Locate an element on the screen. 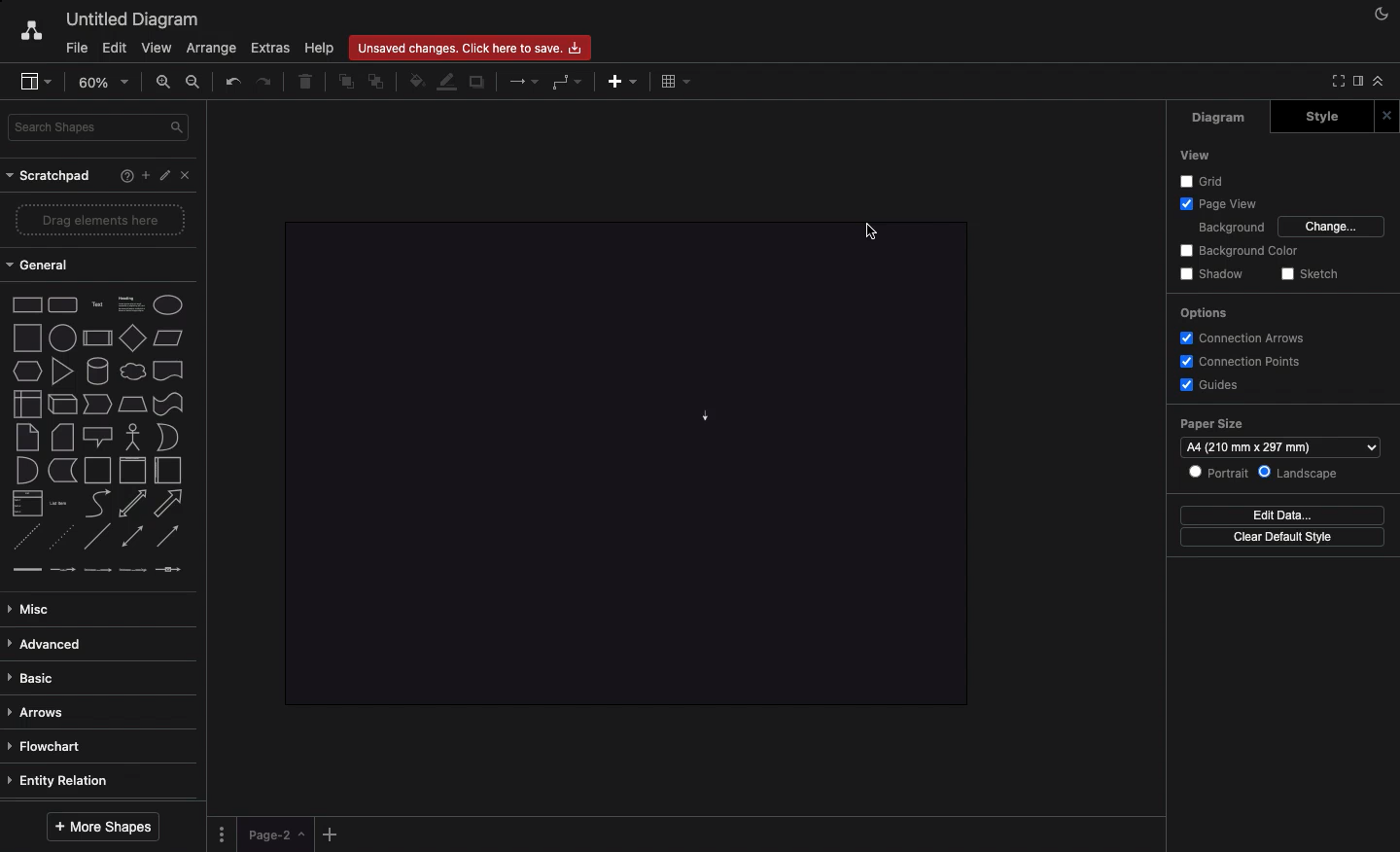 This screenshot has height=852, width=1400. Paper size is located at coordinates (1275, 422).